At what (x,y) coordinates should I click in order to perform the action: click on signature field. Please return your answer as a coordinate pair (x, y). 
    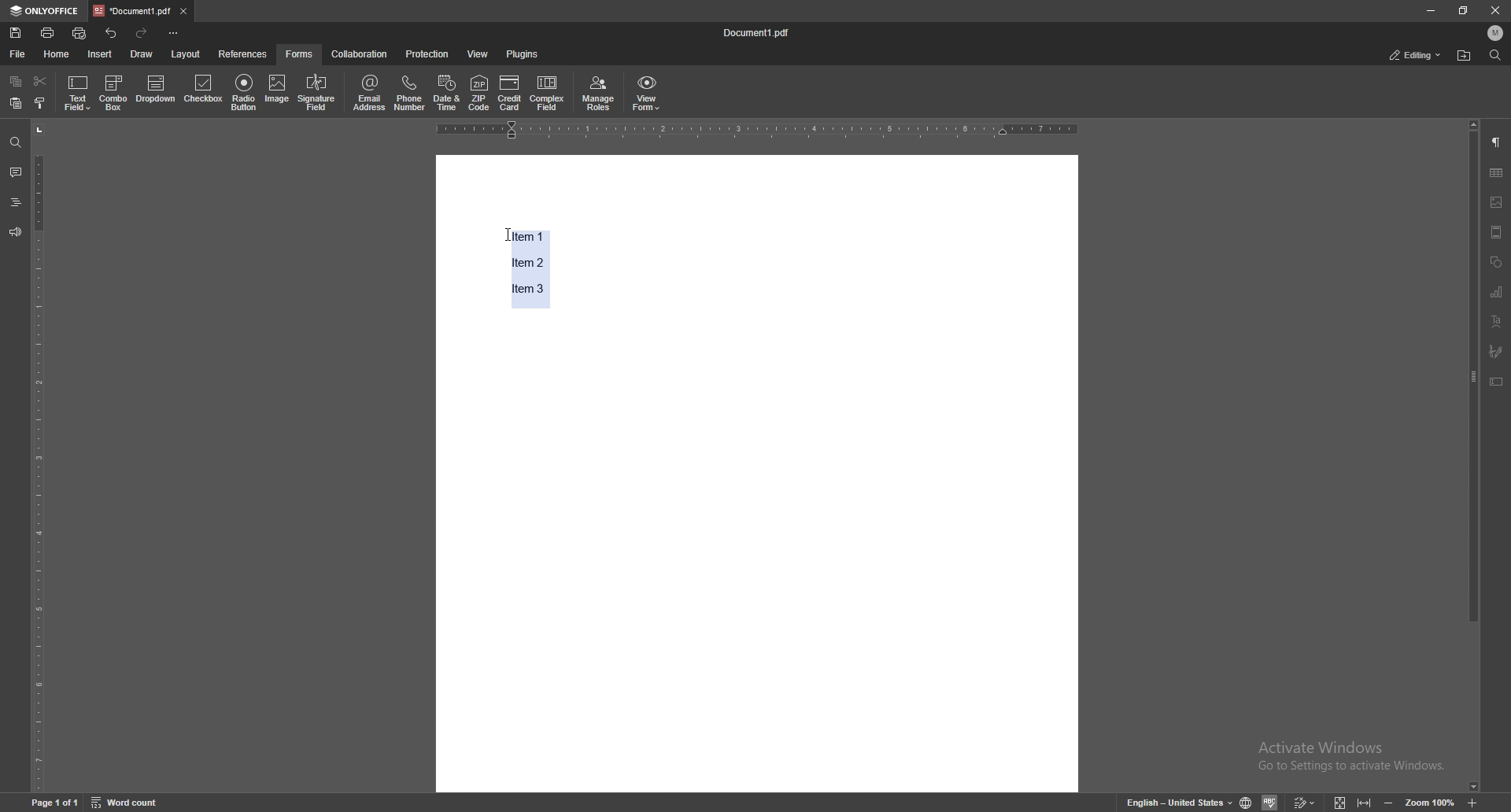
    Looking at the image, I should click on (1496, 351).